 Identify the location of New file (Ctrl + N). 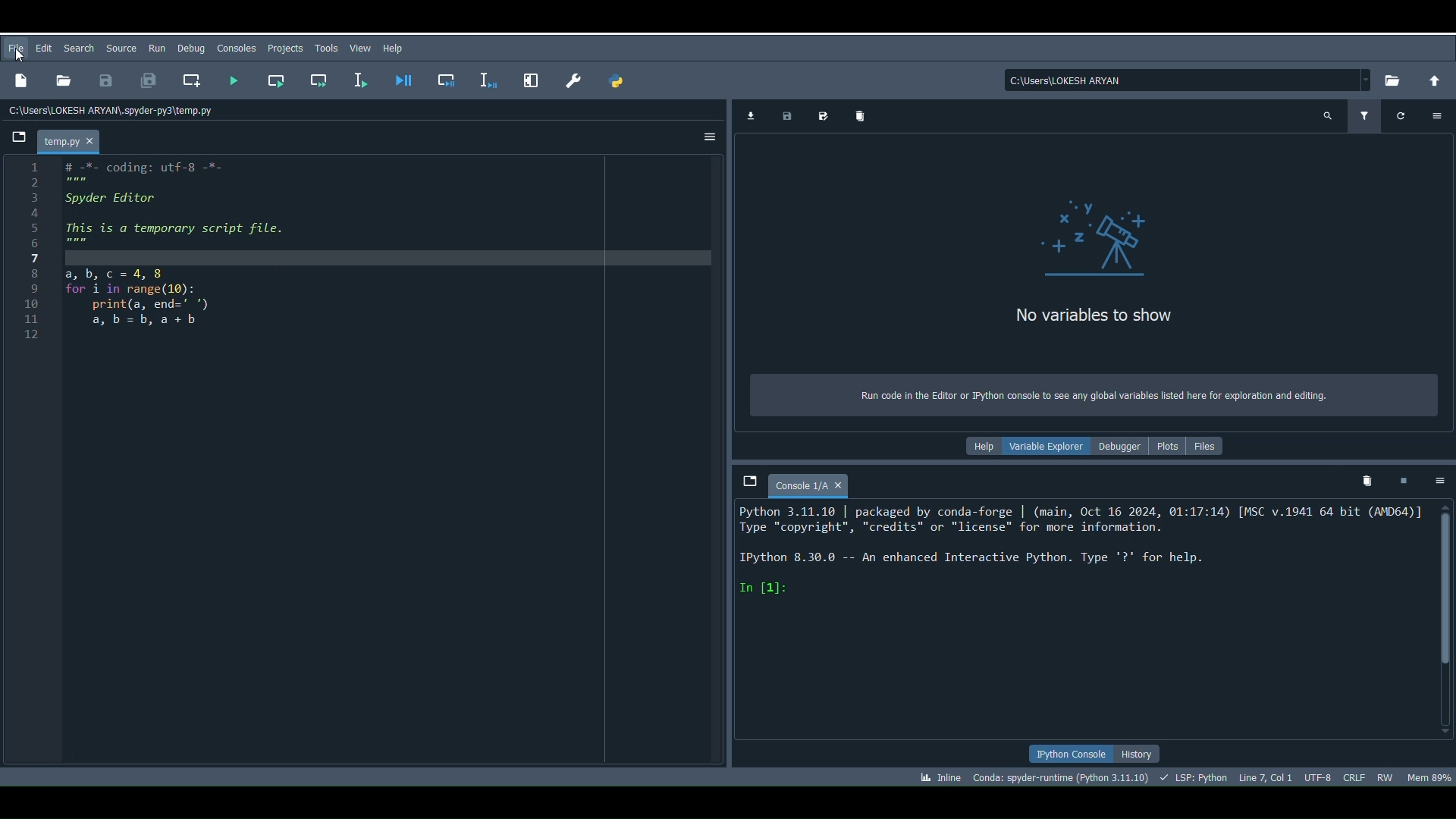
(19, 83).